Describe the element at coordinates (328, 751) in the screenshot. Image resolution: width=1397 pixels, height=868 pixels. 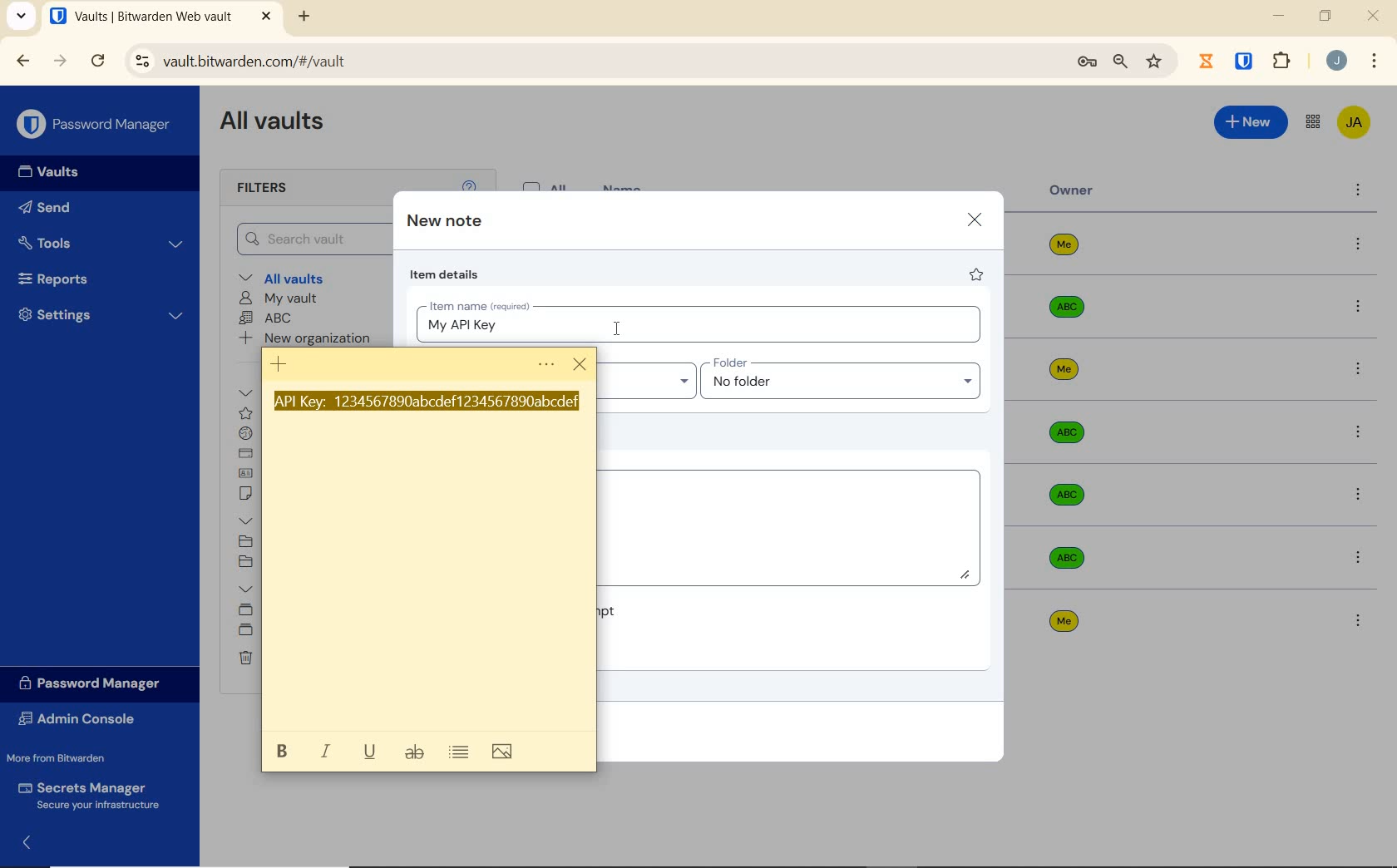
I see `italic` at that location.